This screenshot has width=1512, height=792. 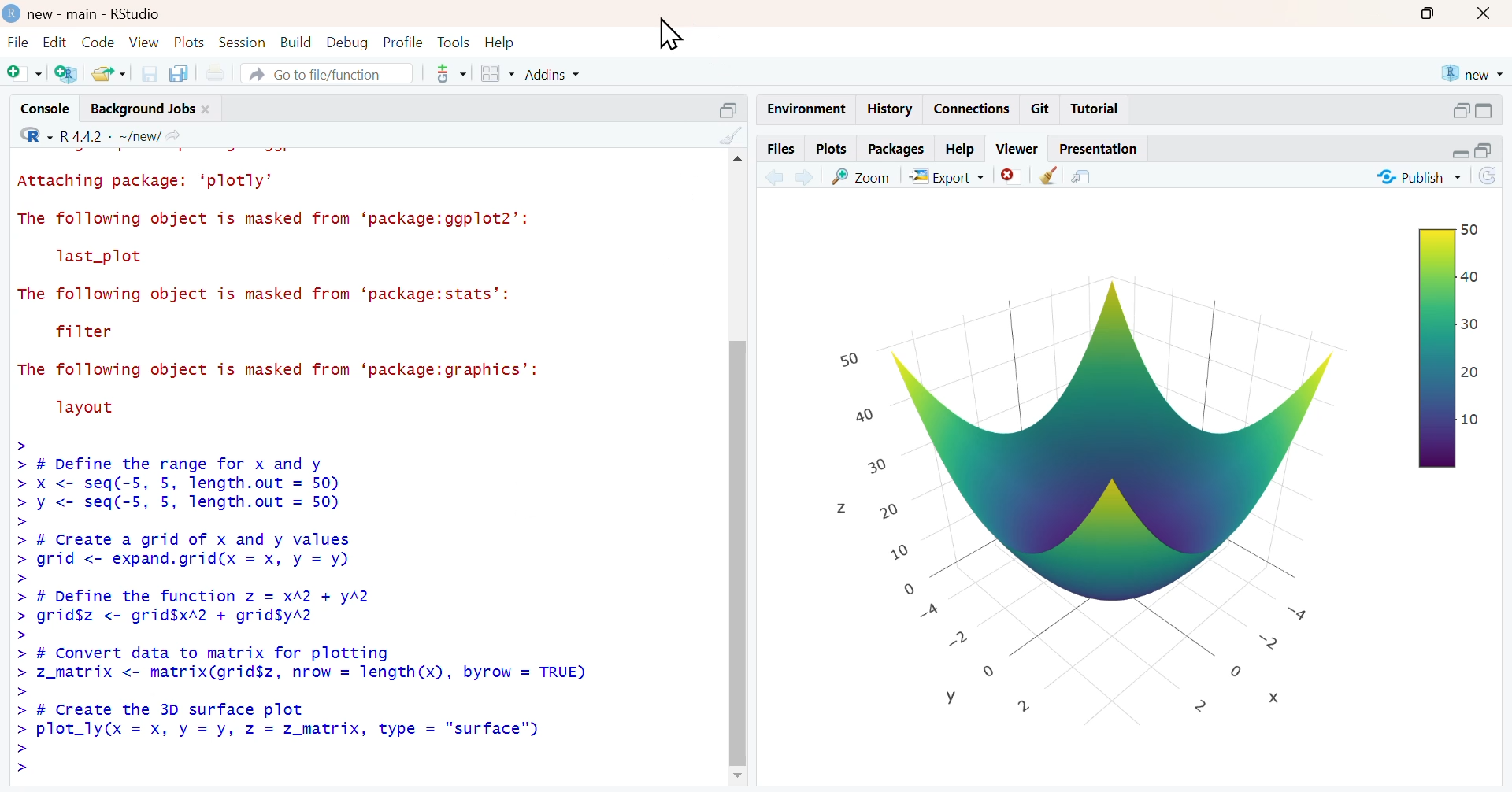 What do you see at coordinates (863, 176) in the screenshot?
I see `view a larger version of  the plot in new window` at bounding box center [863, 176].